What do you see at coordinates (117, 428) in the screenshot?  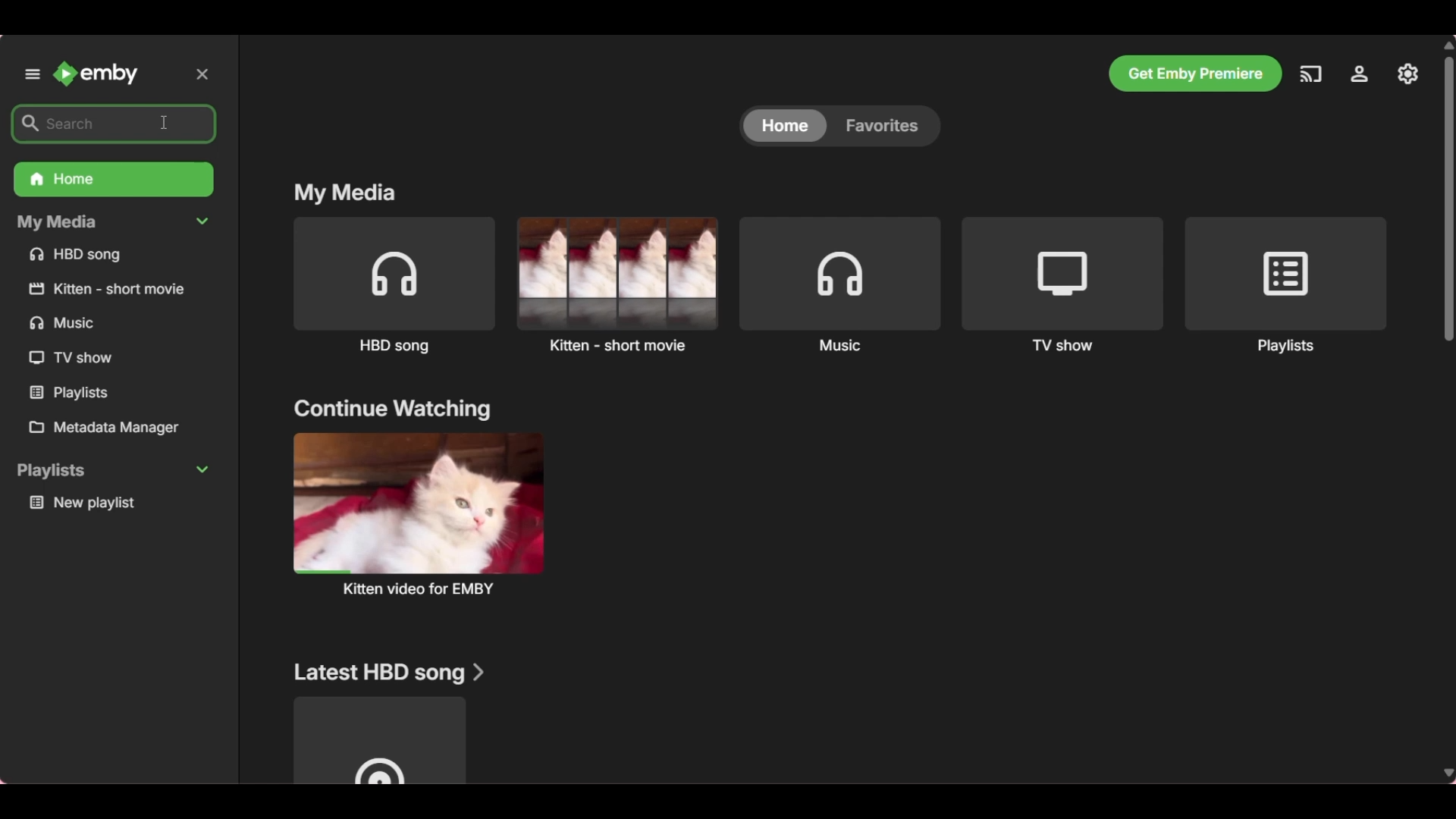 I see `Metadata manager` at bounding box center [117, 428].